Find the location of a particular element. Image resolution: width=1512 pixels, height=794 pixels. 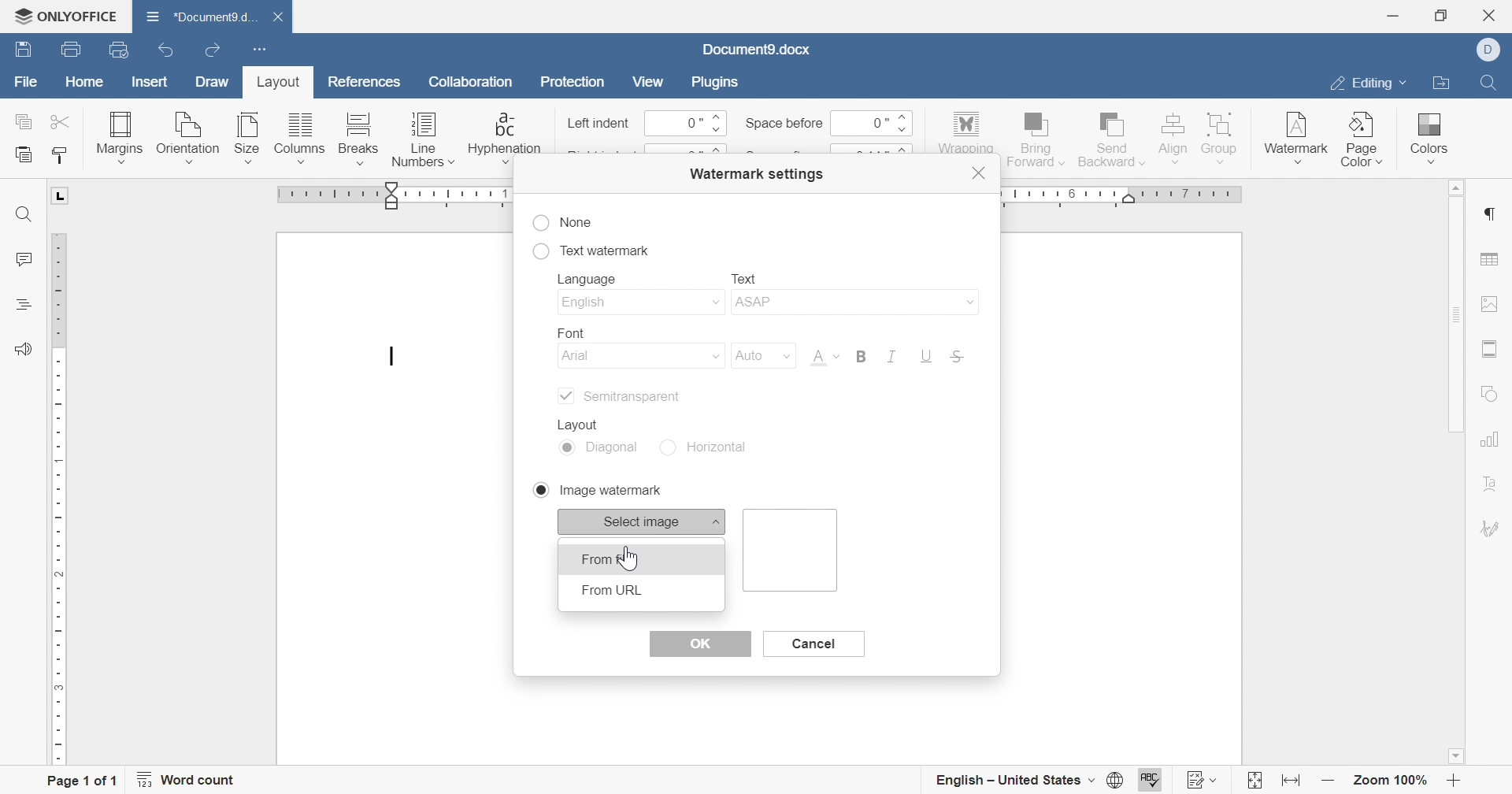

dell is located at coordinates (1494, 50).